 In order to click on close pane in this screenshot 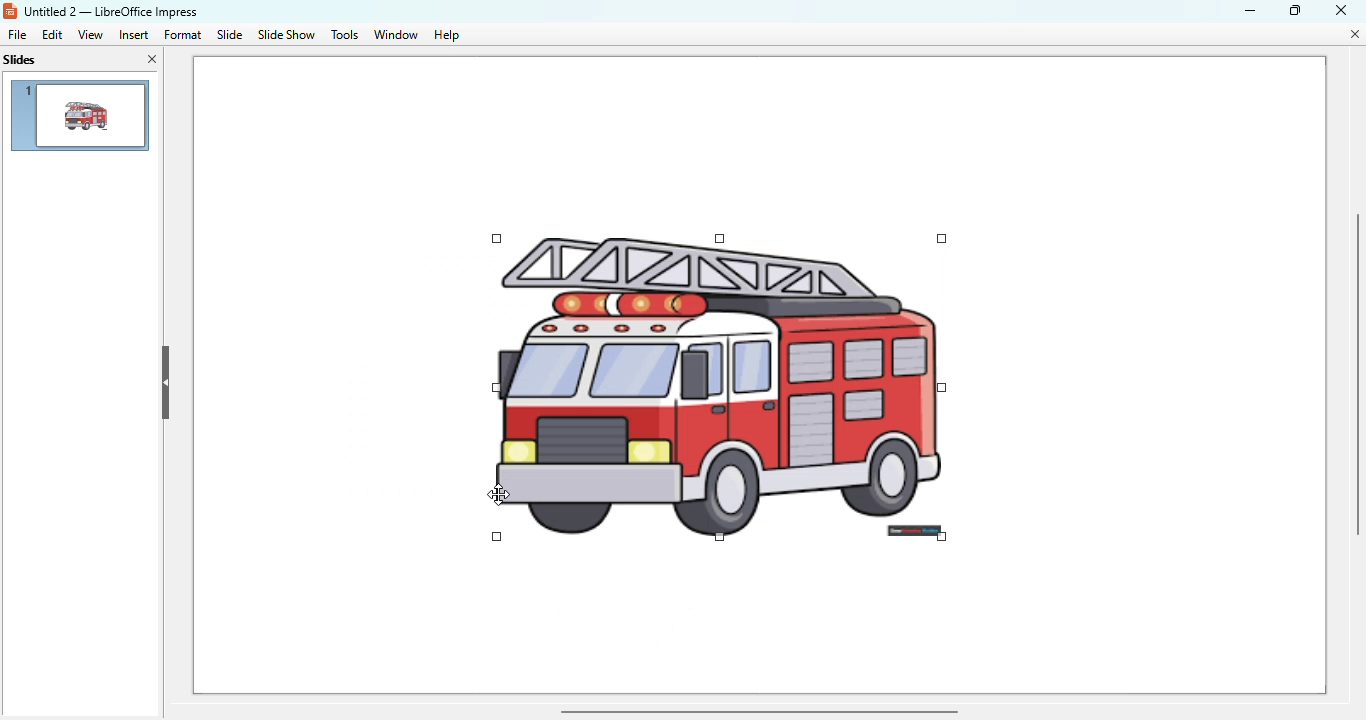, I will do `click(153, 58)`.